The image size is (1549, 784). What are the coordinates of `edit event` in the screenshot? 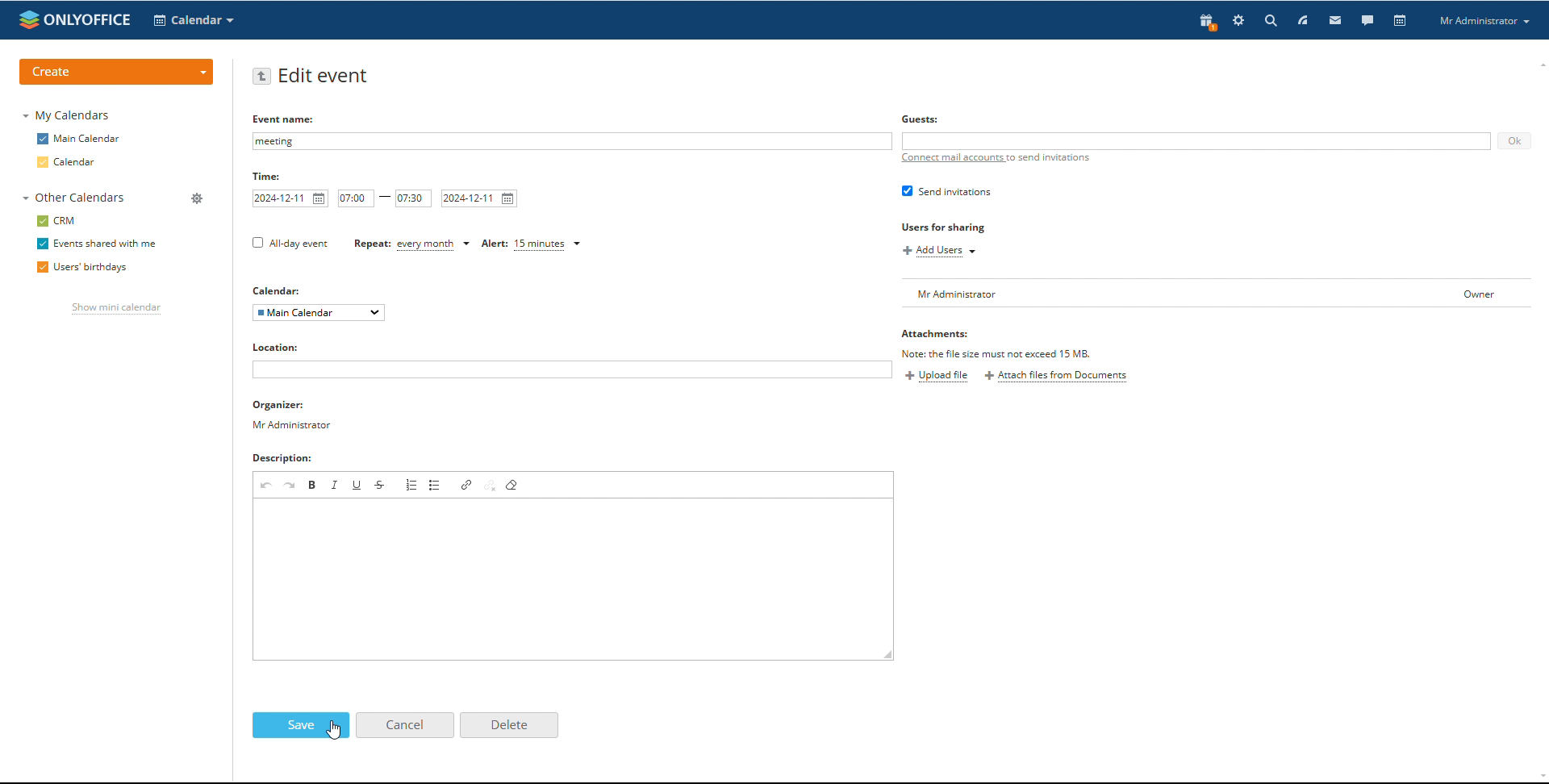 It's located at (324, 77).